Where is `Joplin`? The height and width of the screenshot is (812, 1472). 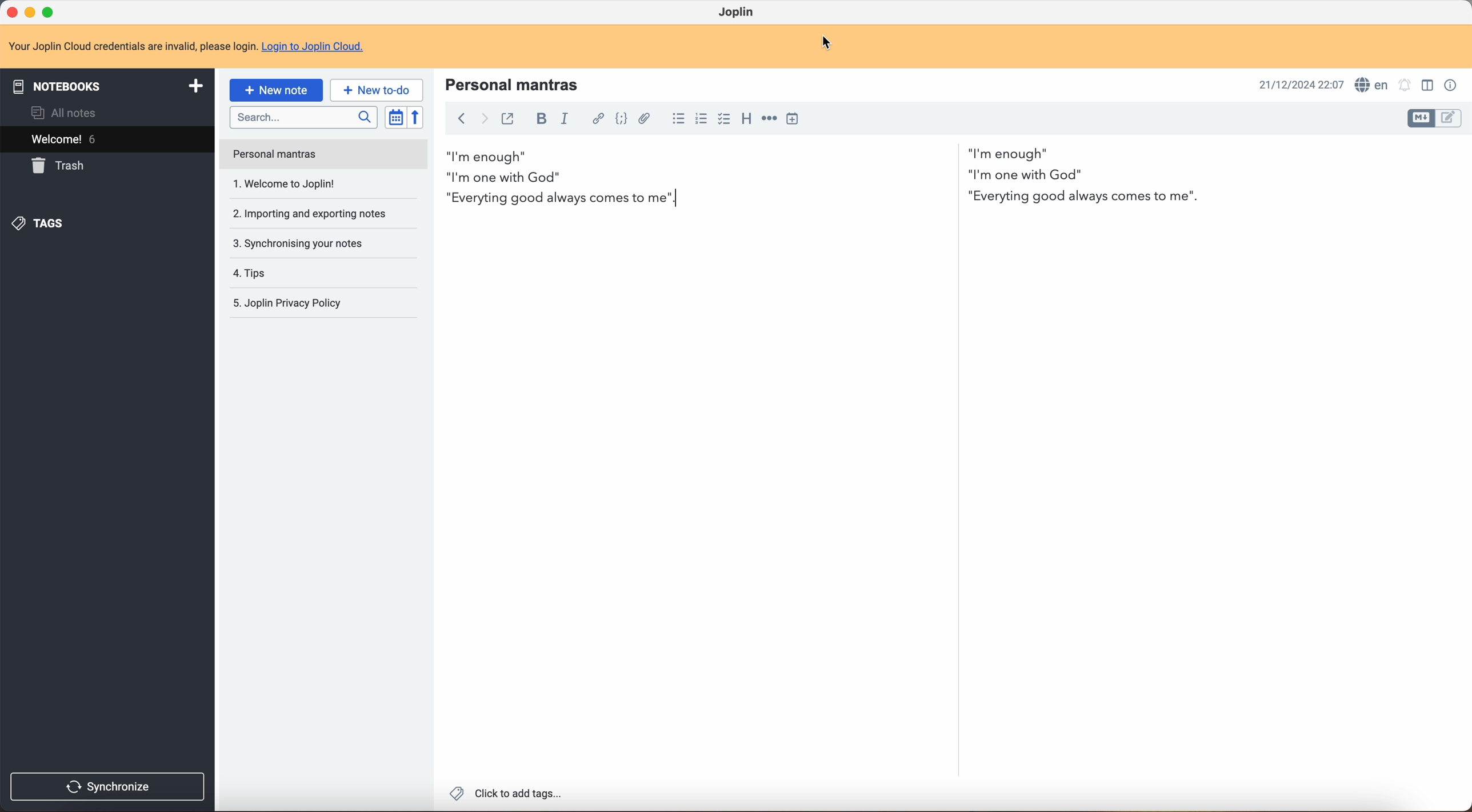
Joplin is located at coordinates (738, 11).